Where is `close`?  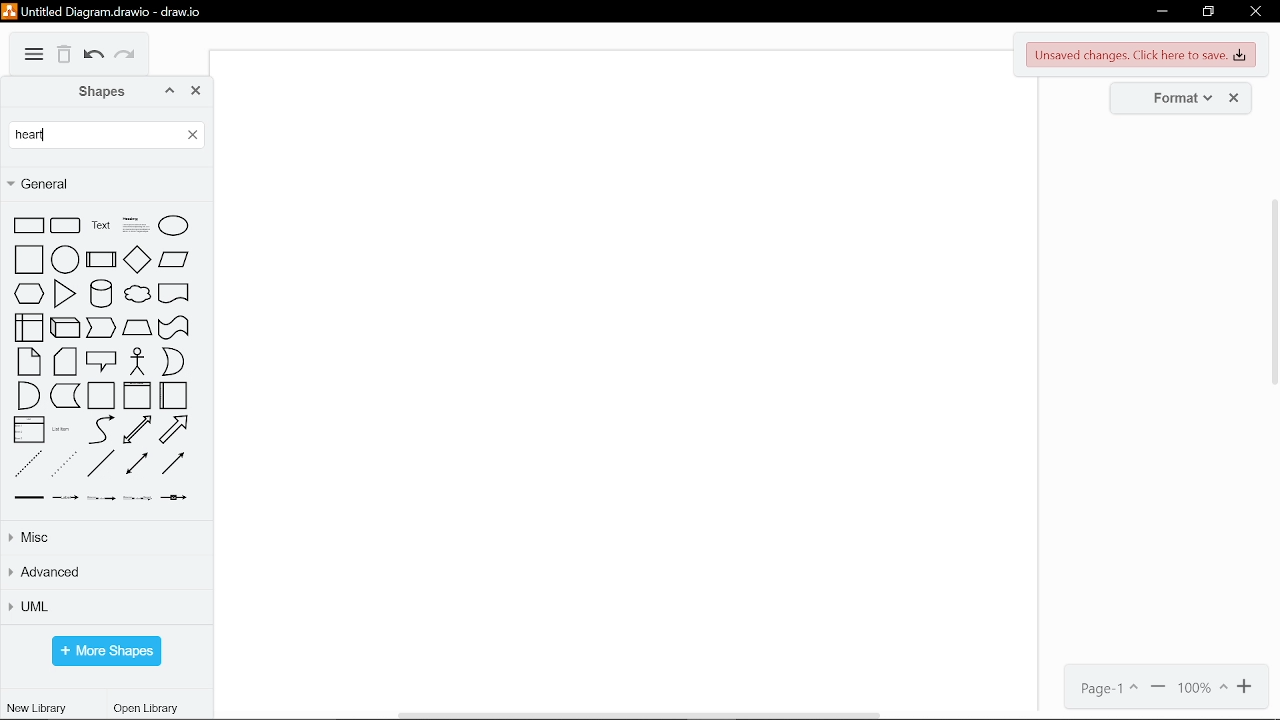
close is located at coordinates (1256, 14).